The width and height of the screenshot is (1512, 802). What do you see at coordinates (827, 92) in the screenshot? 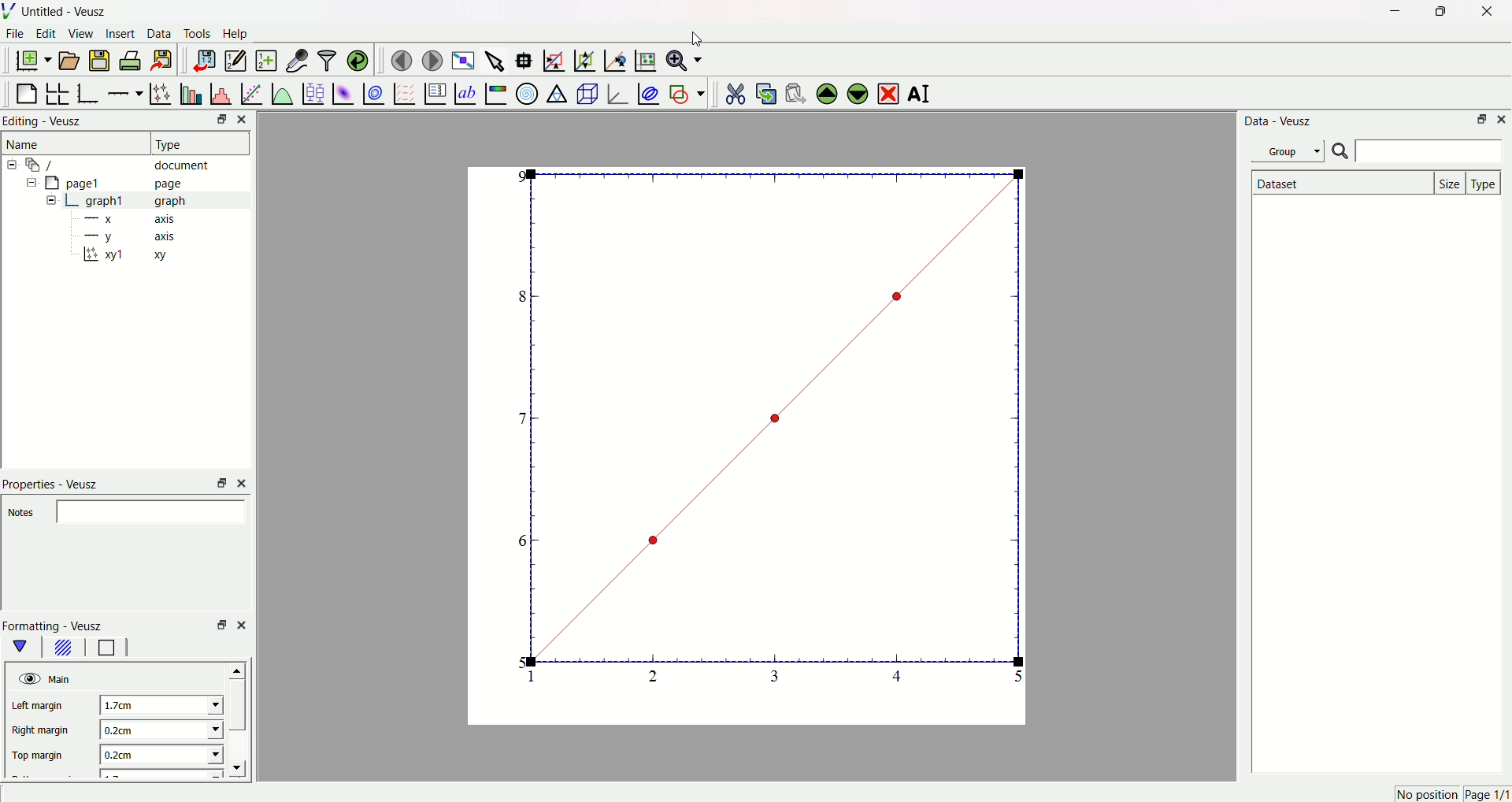
I see `move the widgets up` at bounding box center [827, 92].